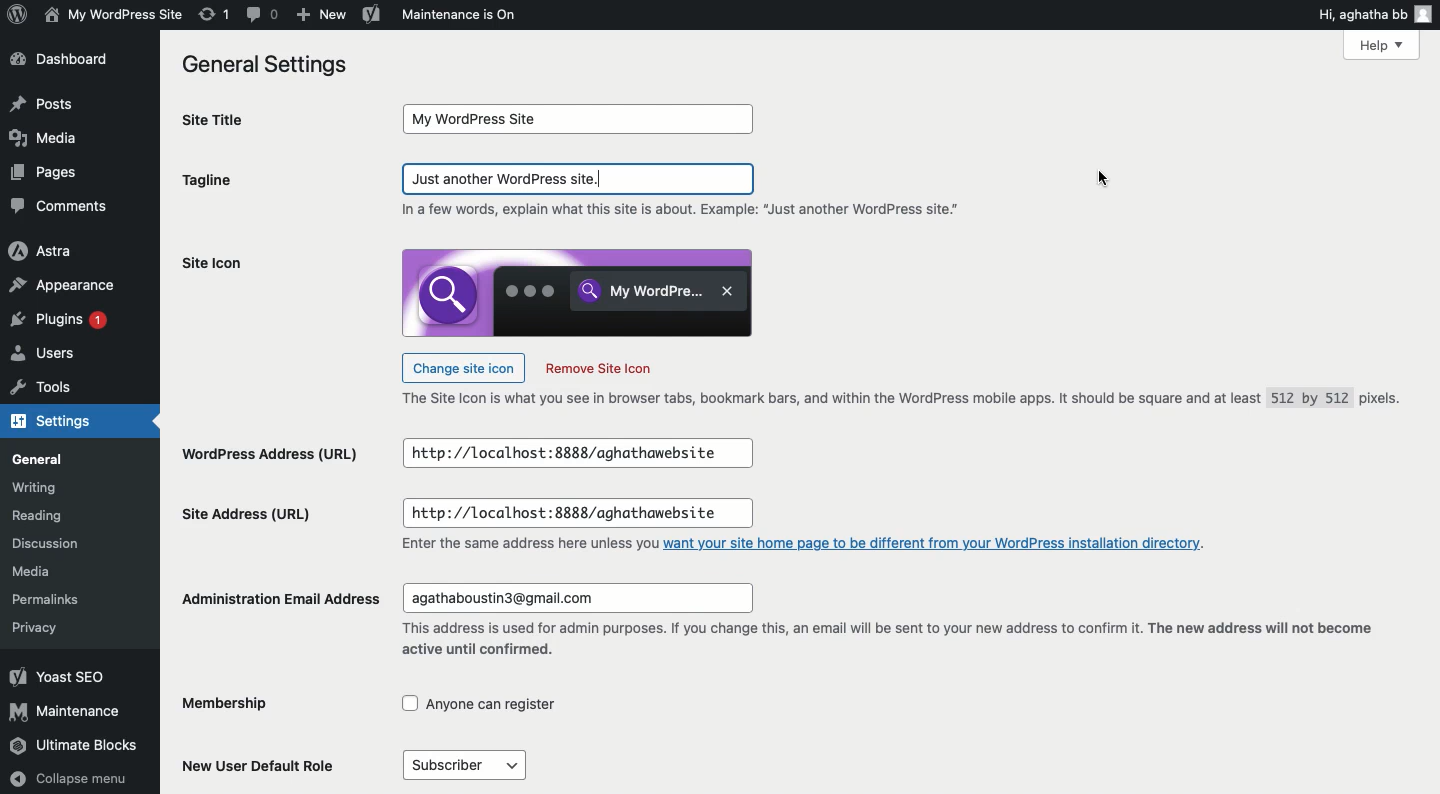 This screenshot has height=794, width=1440. Describe the element at coordinates (71, 779) in the screenshot. I see `Collapse menu` at that location.